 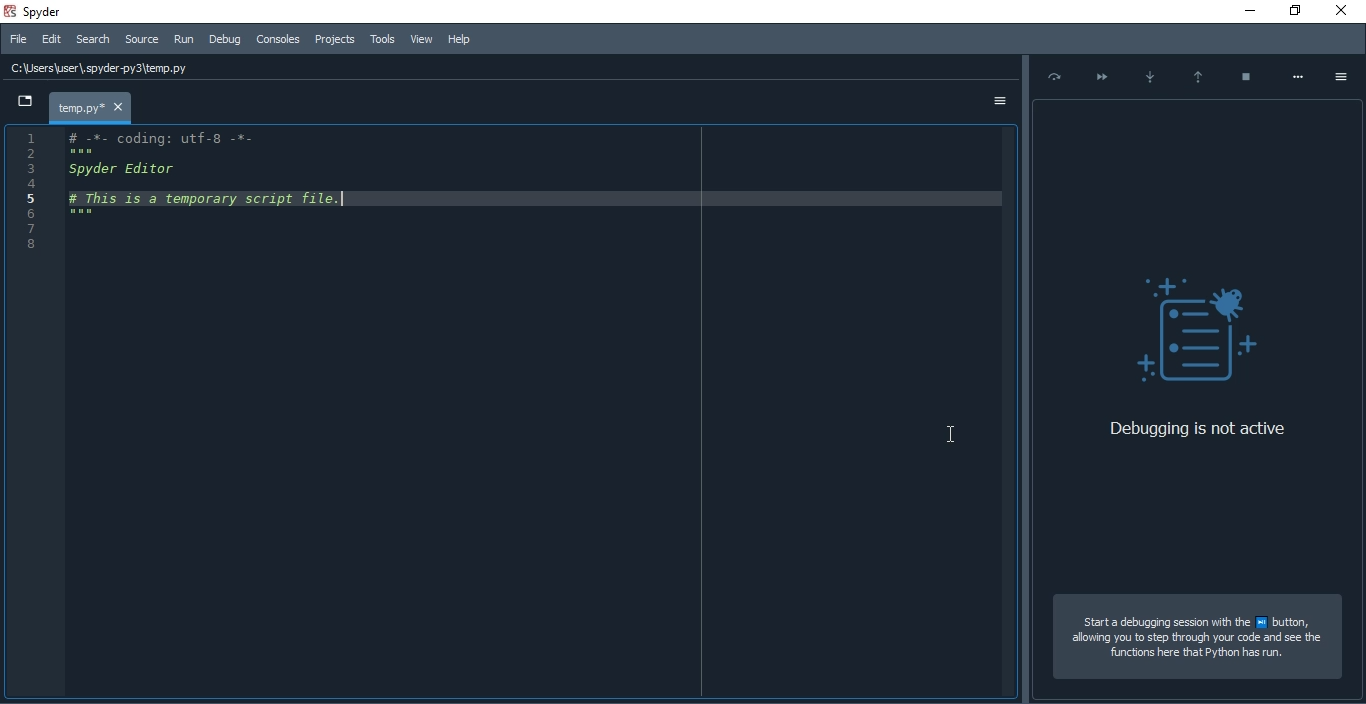 I want to click on Edit, so click(x=53, y=38).